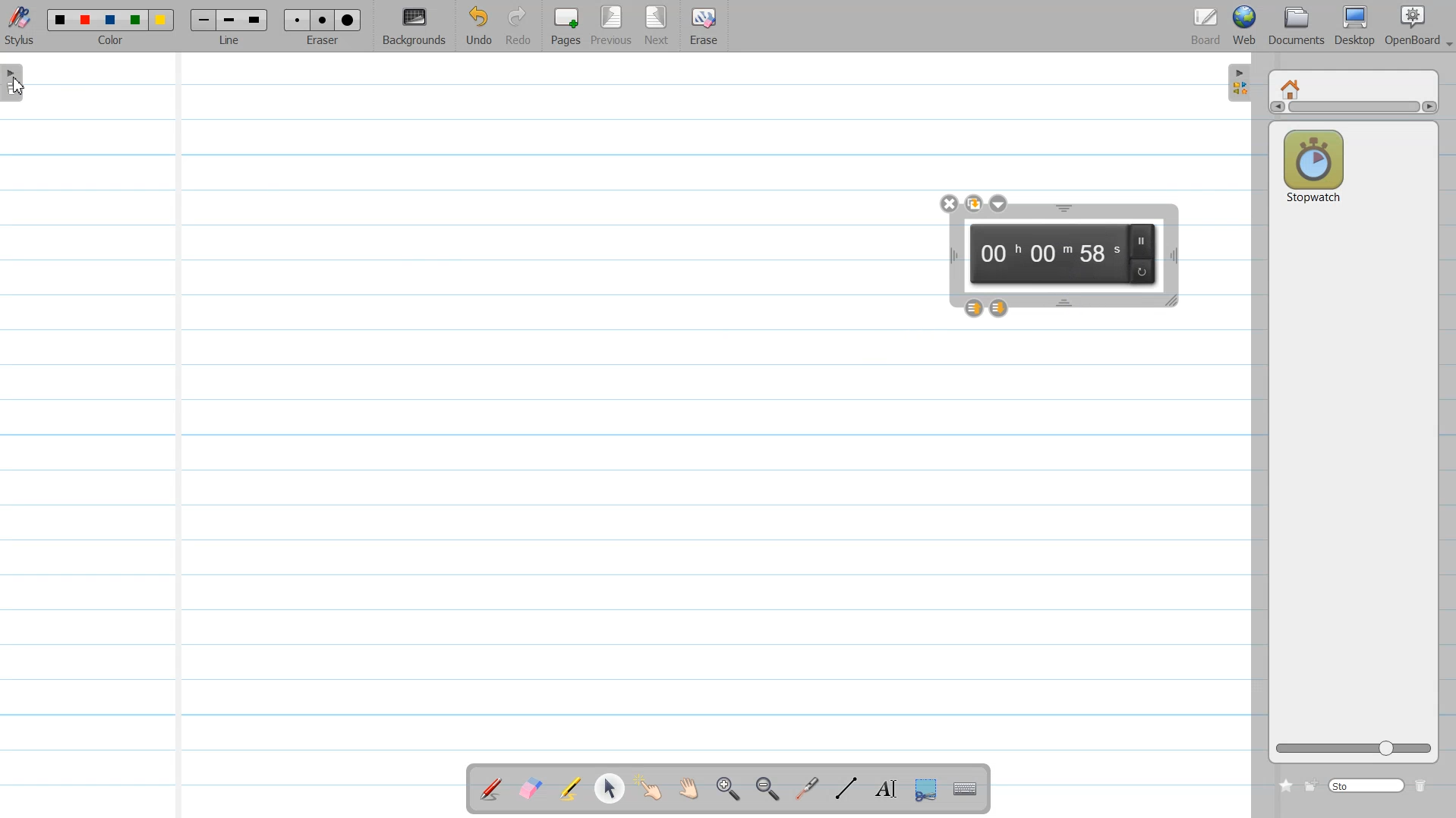  What do you see at coordinates (615, 27) in the screenshot?
I see `Previous` at bounding box center [615, 27].